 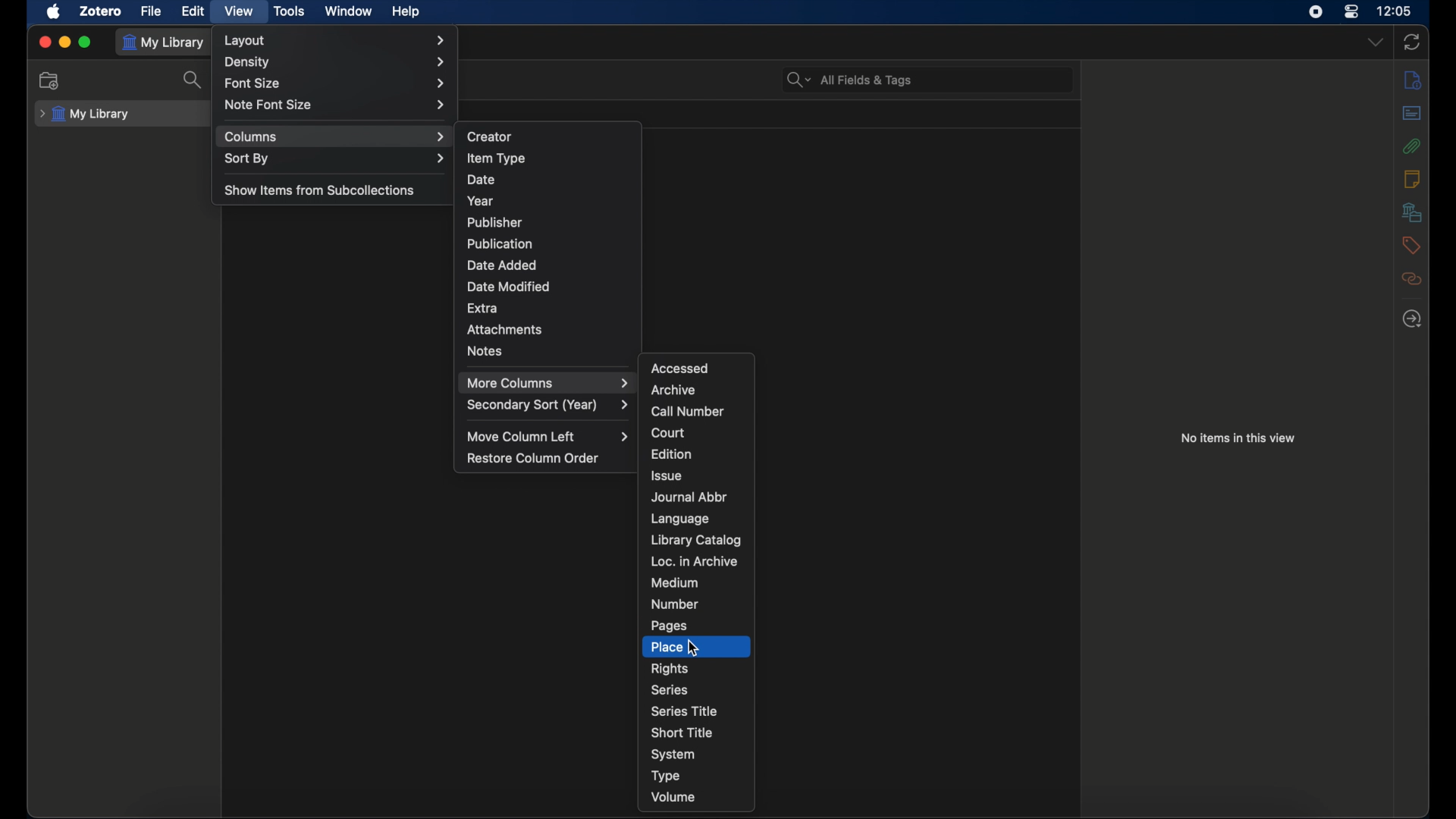 I want to click on item type, so click(x=496, y=158).